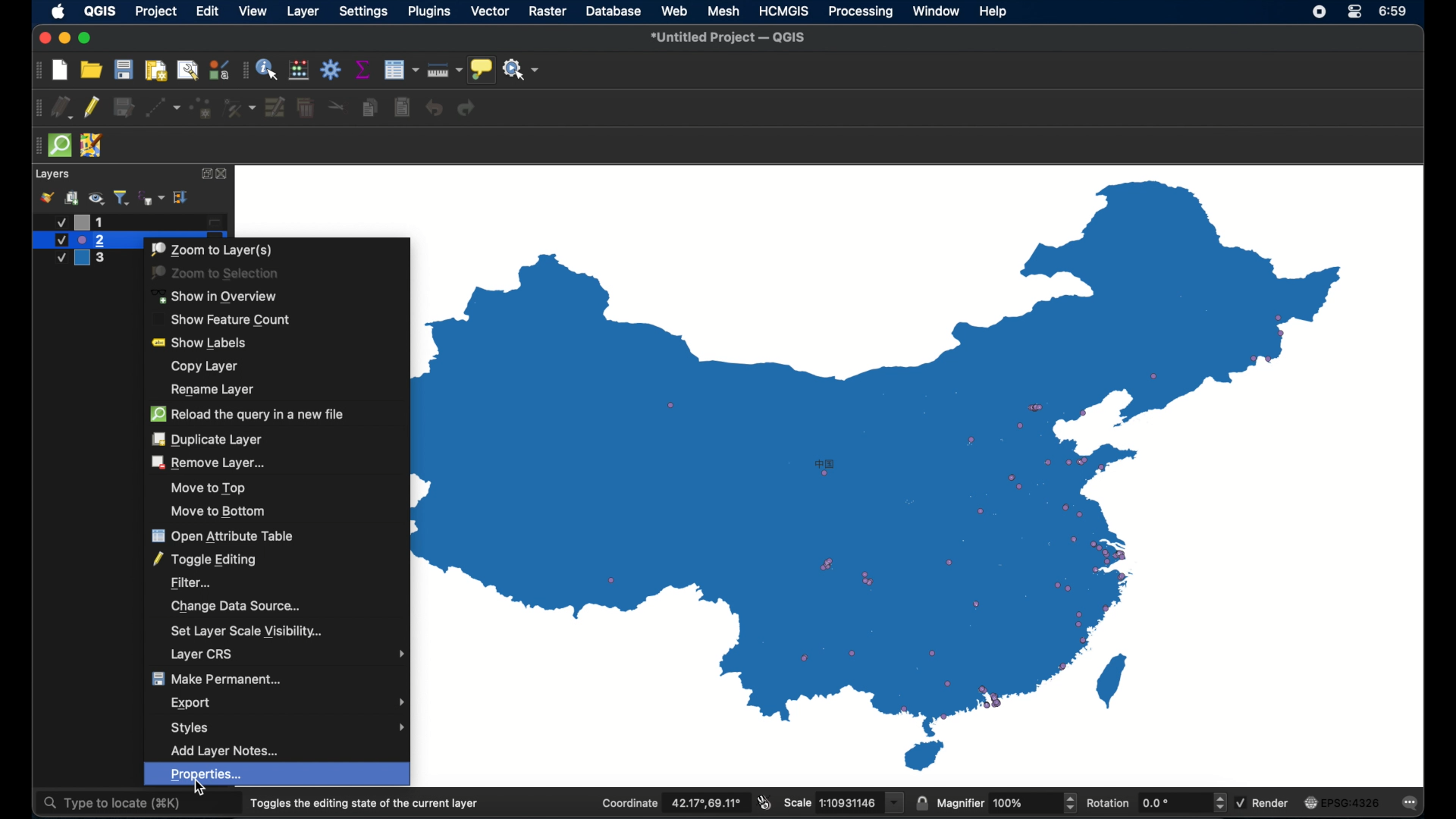  Describe the element at coordinates (152, 198) in the screenshot. I see `filter legend by expression` at that location.